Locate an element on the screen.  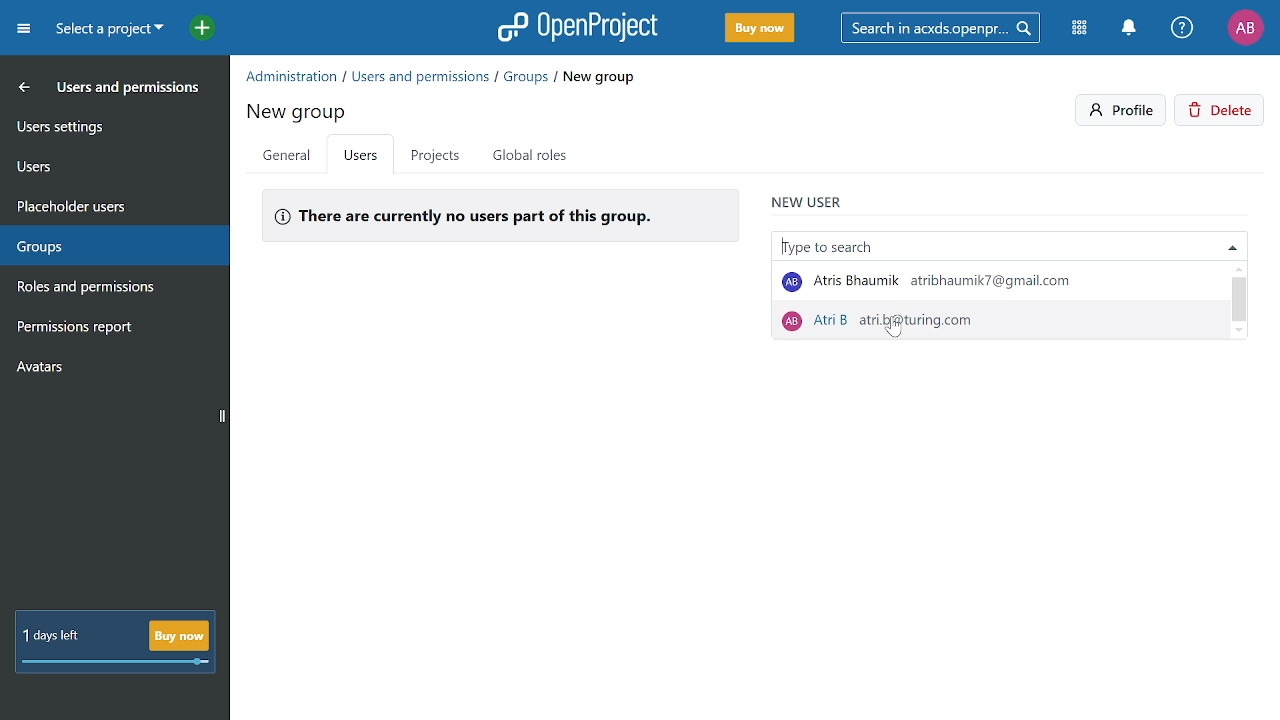
Profile is located at coordinates (1122, 110).